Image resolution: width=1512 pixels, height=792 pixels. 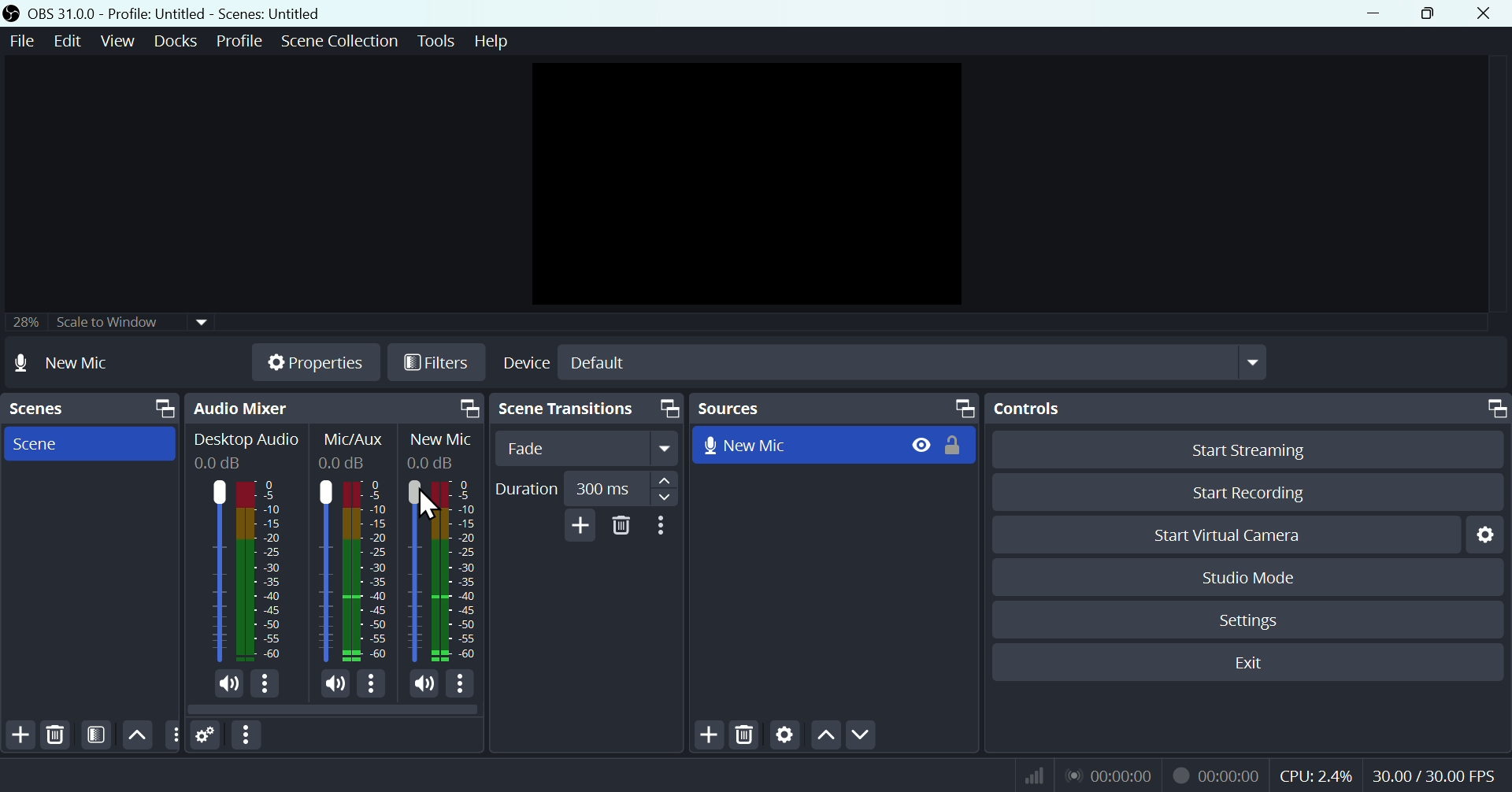 What do you see at coordinates (588, 449) in the screenshot?
I see `fade` at bounding box center [588, 449].